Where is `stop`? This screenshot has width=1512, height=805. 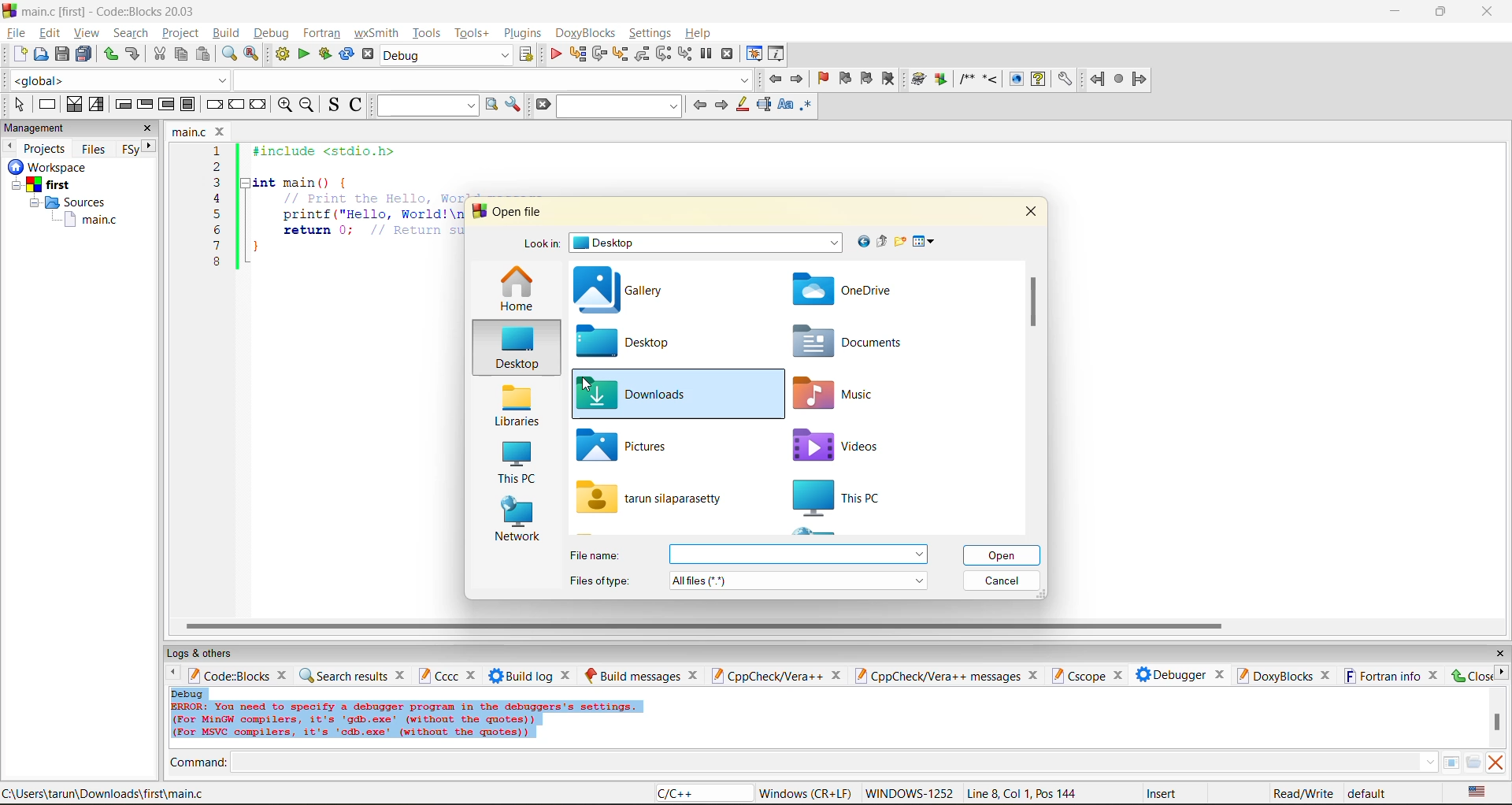
stop is located at coordinates (1120, 80).